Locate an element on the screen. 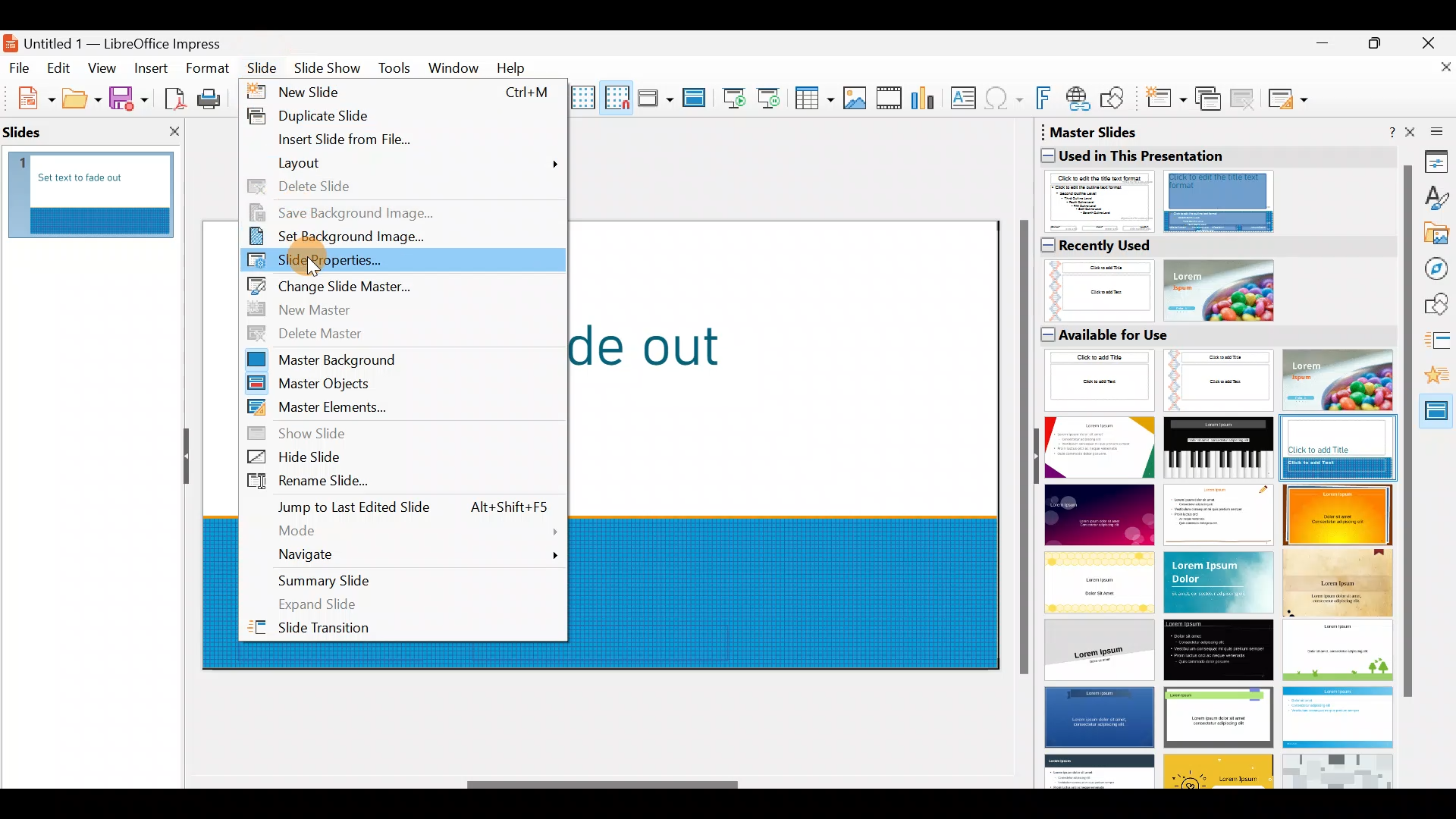 Image resolution: width=1456 pixels, height=819 pixels. Master slides used in this presentation is located at coordinates (1214, 178).